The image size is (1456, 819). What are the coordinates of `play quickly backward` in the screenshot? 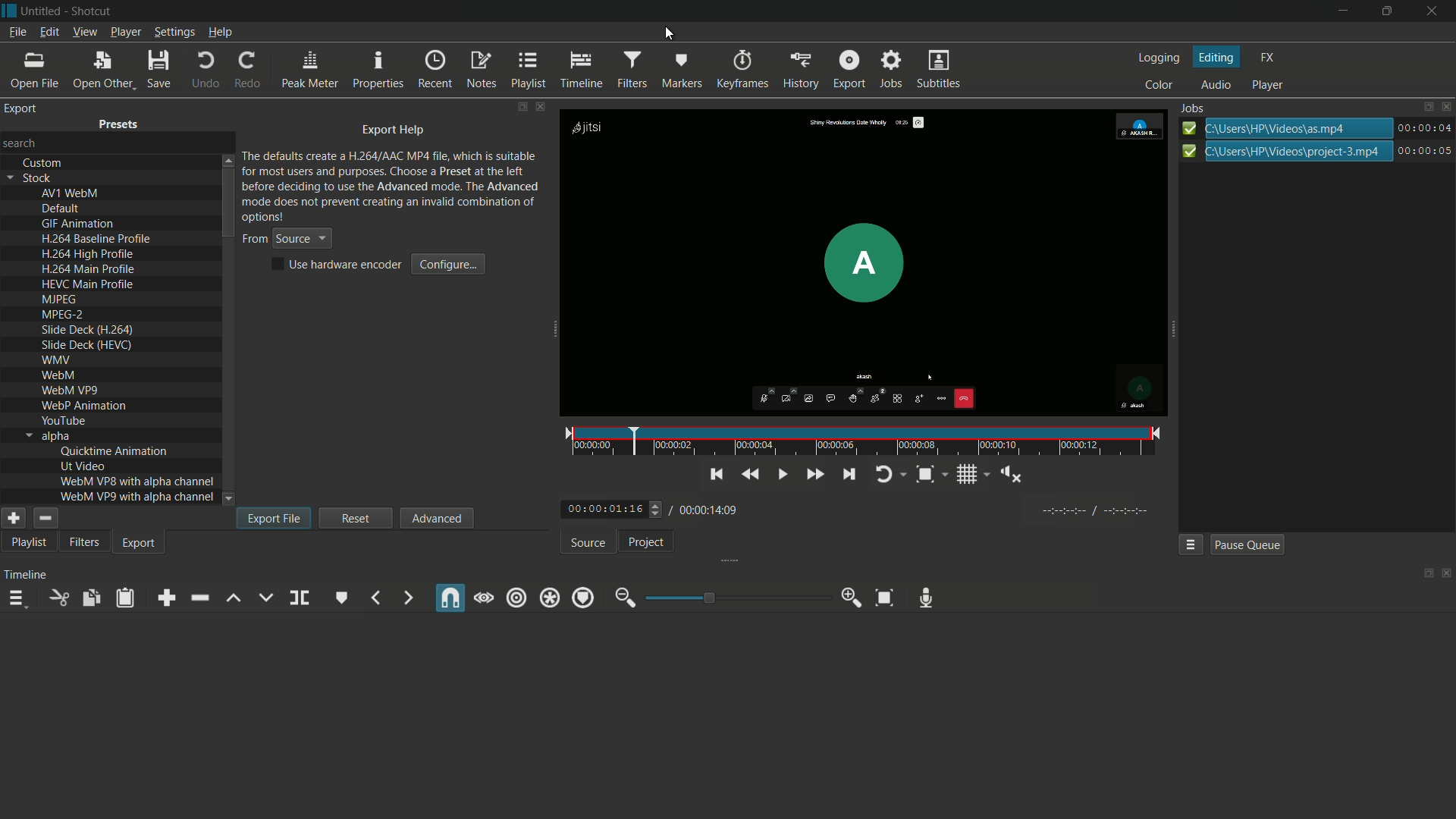 It's located at (753, 474).